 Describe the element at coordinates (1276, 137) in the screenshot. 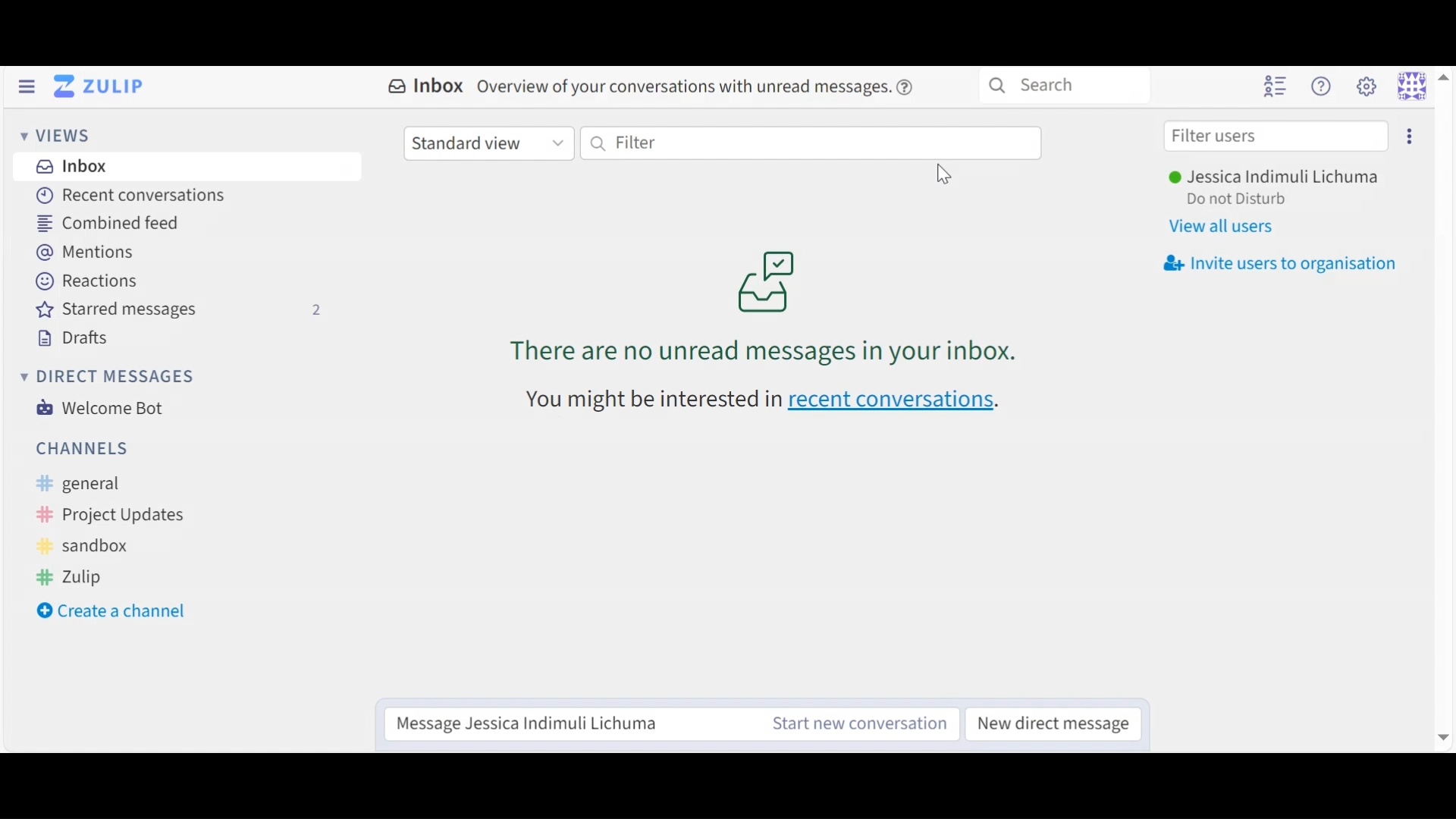

I see `Filter user` at that location.